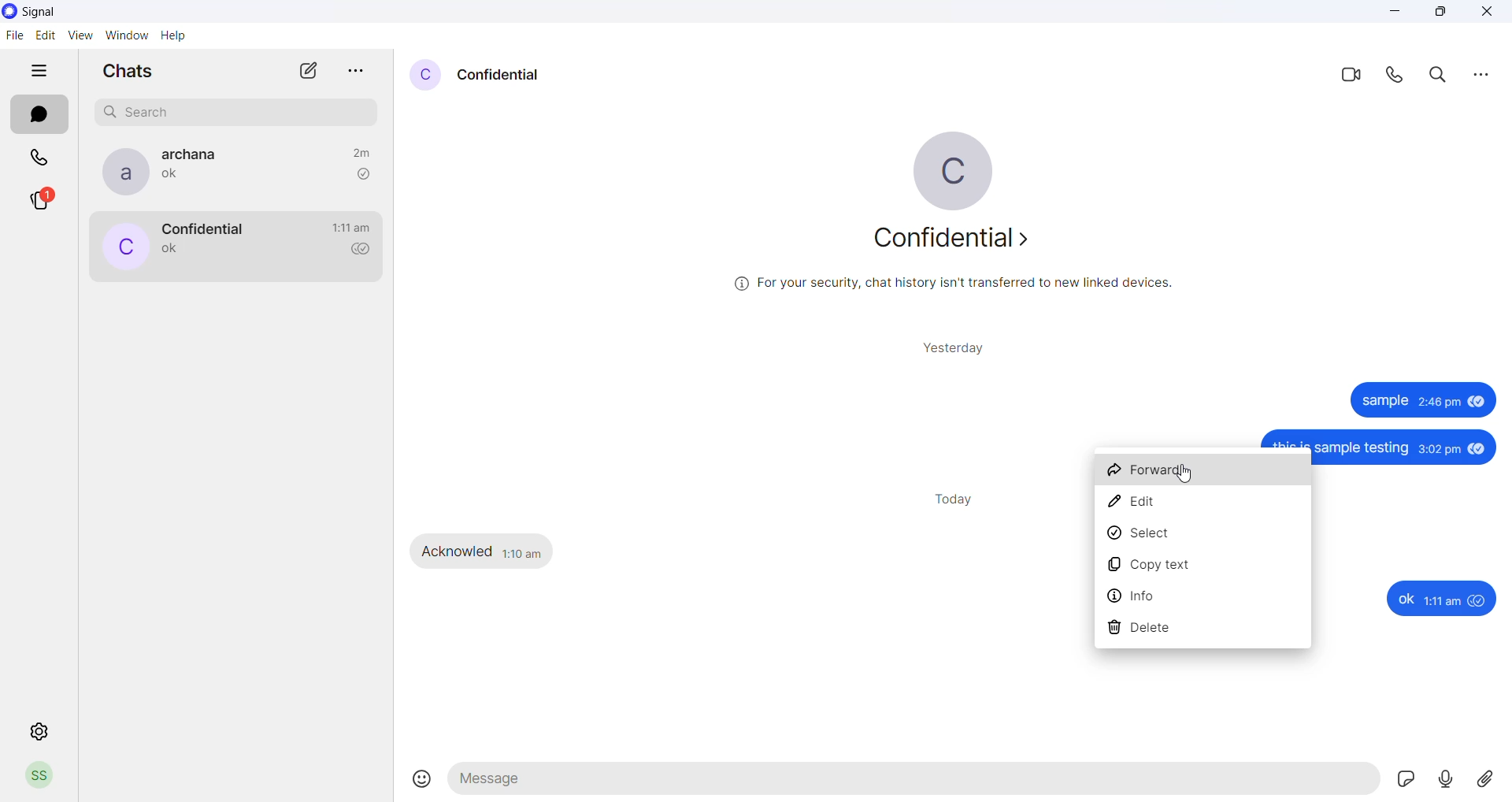 This screenshot has width=1512, height=802. What do you see at coordinates (54, 11) in the screenshot?
I see `application name and logo` at bounding box center [54, 11].